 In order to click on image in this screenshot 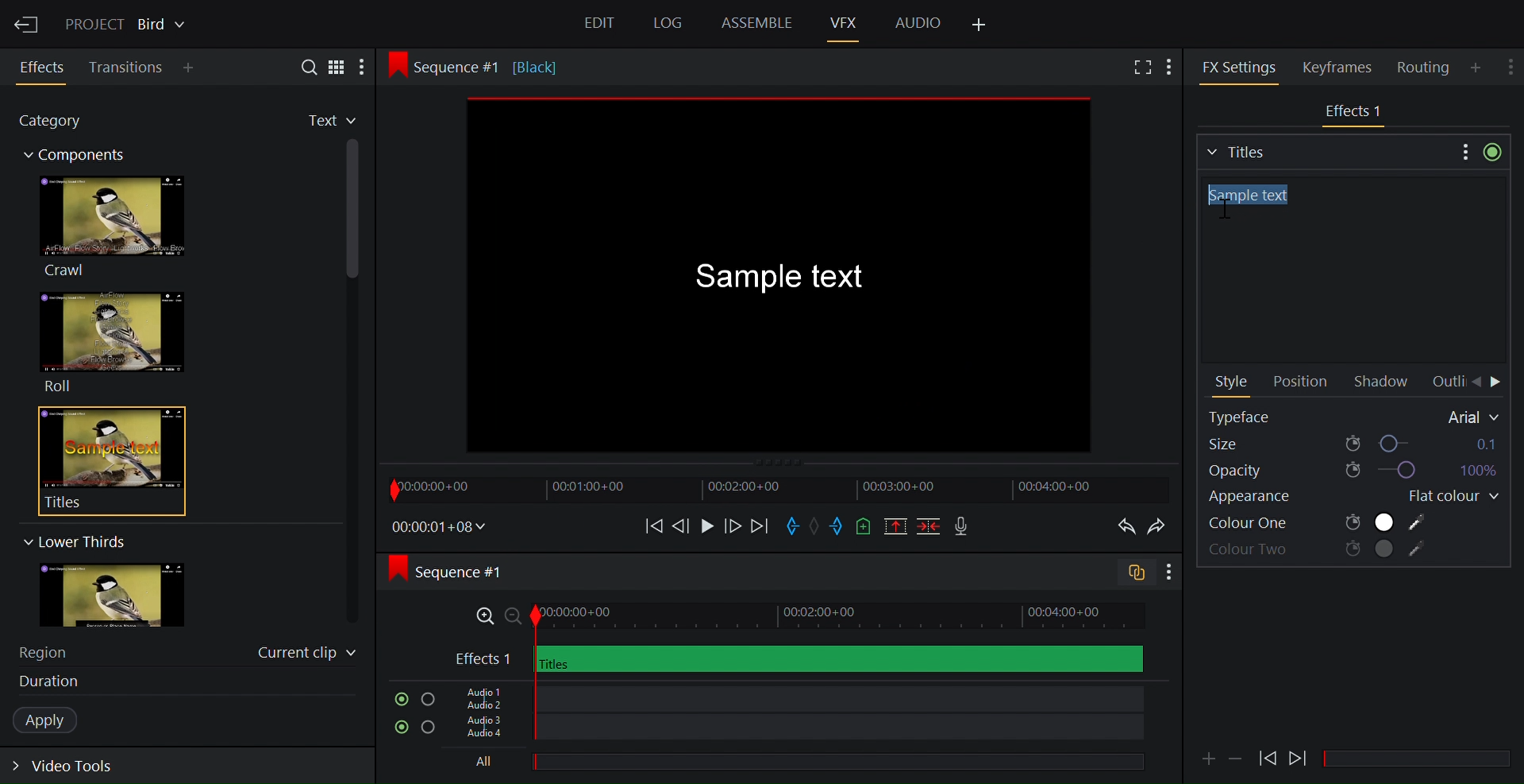, I will do `click(128, 596)`.